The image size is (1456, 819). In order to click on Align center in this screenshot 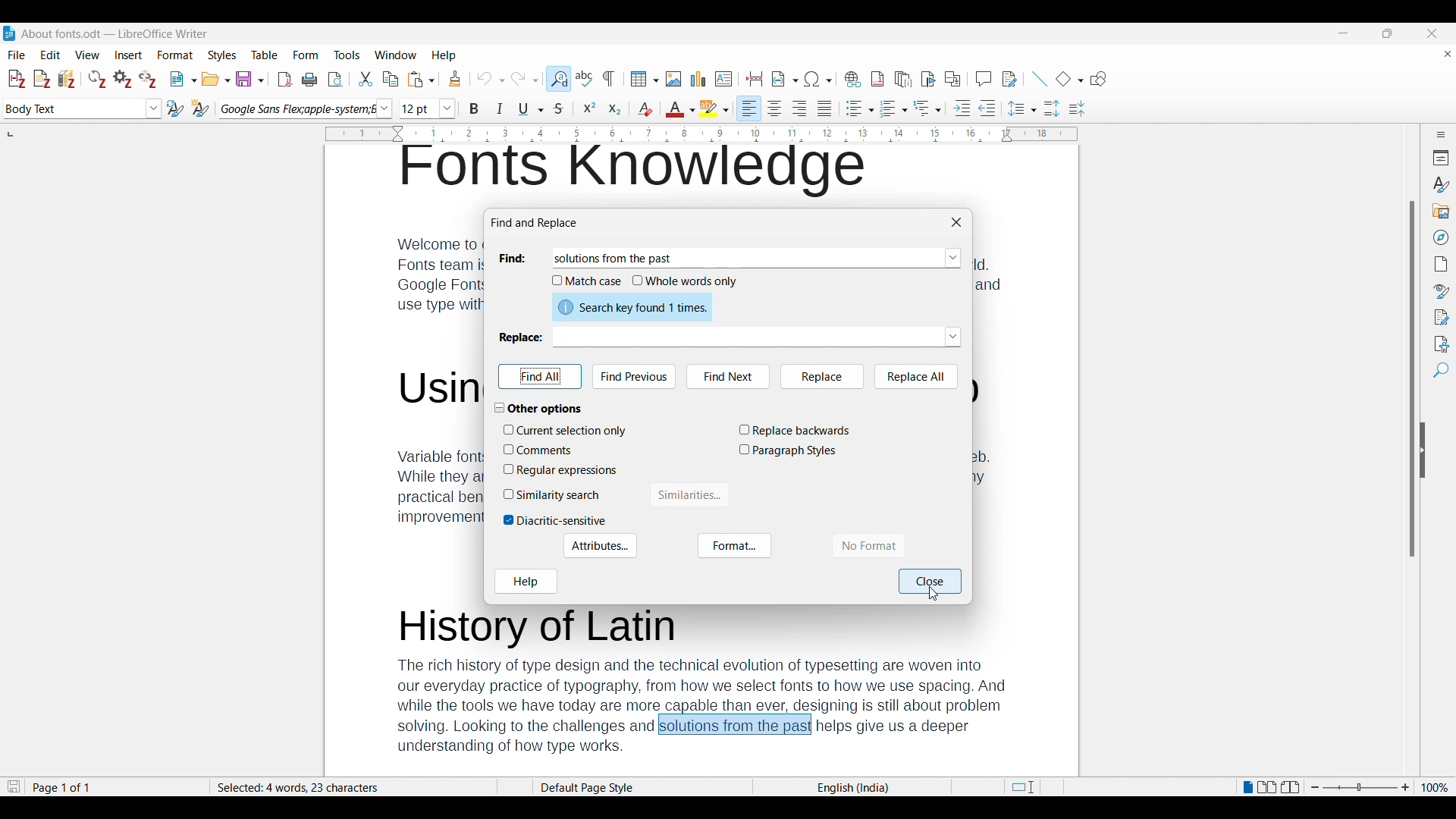, I will do `click(775, 108)`.